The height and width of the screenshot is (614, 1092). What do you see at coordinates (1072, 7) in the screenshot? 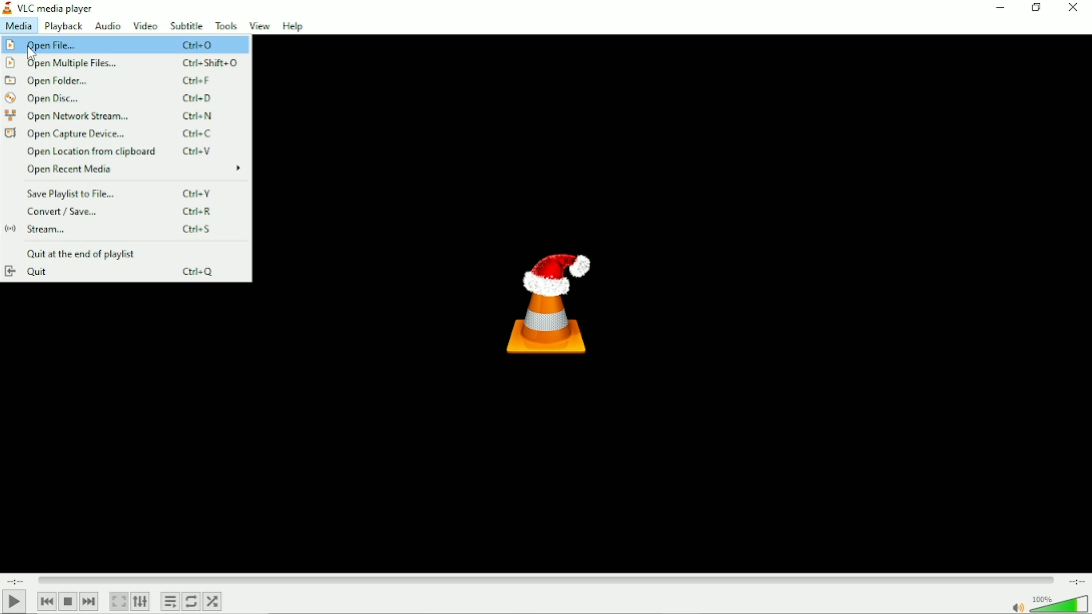
I see `Close` at bounding box center [1072, 7].